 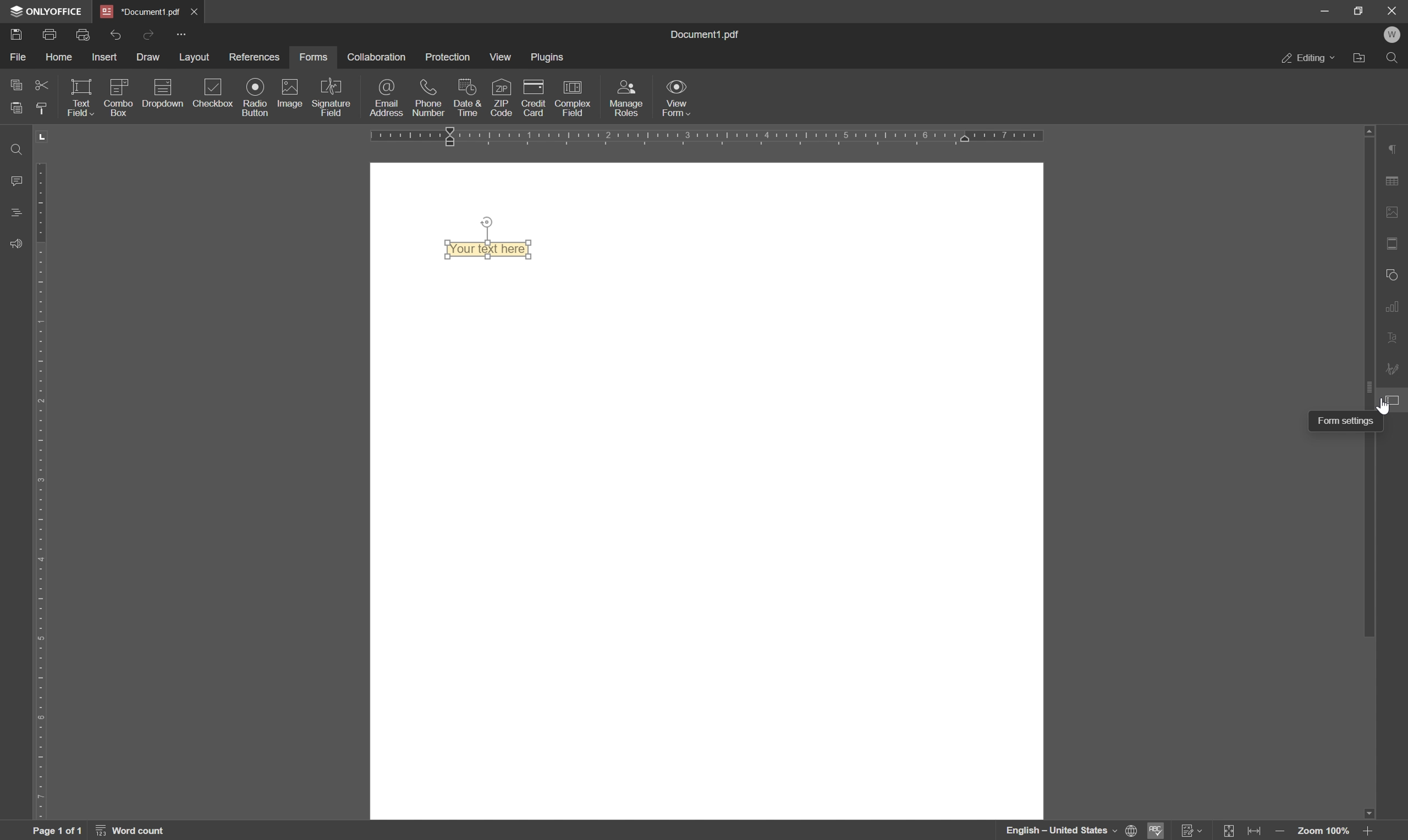 What do you see at coordinates (115, 34) in the screenshot?
I see `undo` at bounding box center [115, 34].